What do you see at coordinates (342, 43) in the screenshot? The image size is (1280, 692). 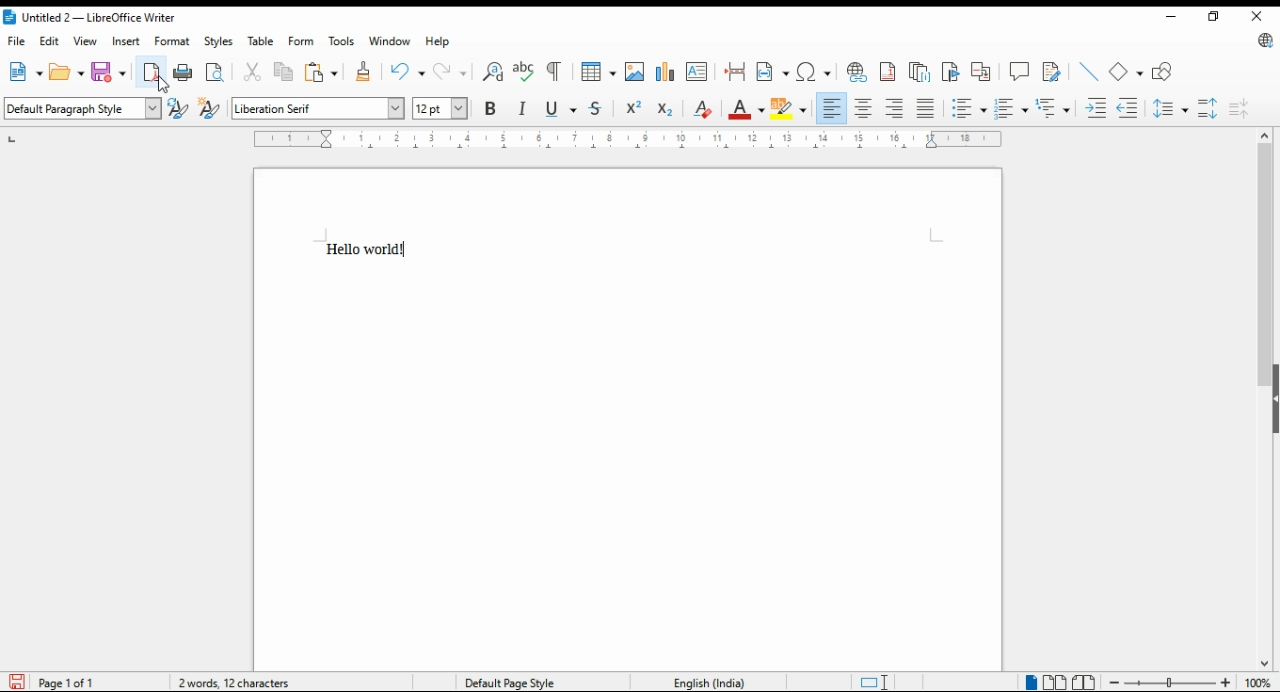 I see `tools` at bounding box center [342, 43].